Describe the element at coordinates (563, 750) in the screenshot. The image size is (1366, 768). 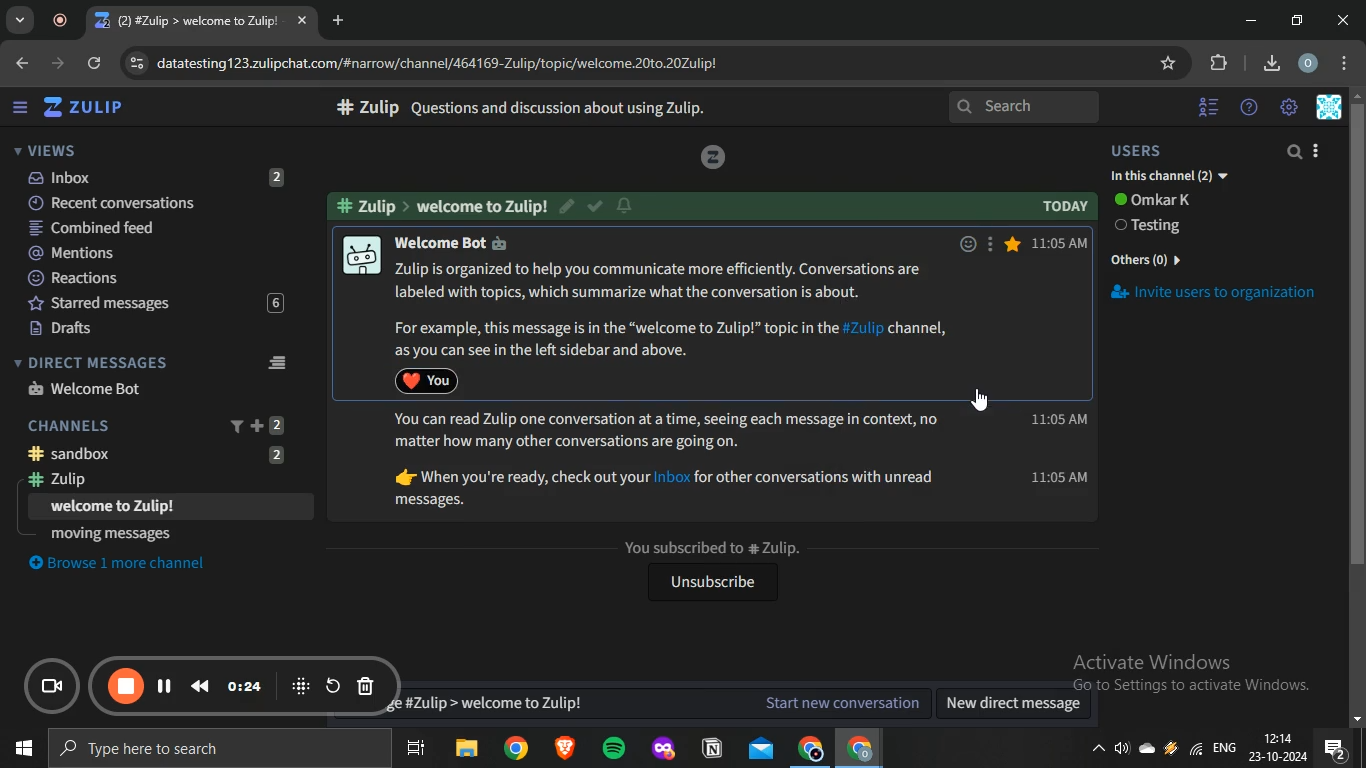
I see `brave` at that location.